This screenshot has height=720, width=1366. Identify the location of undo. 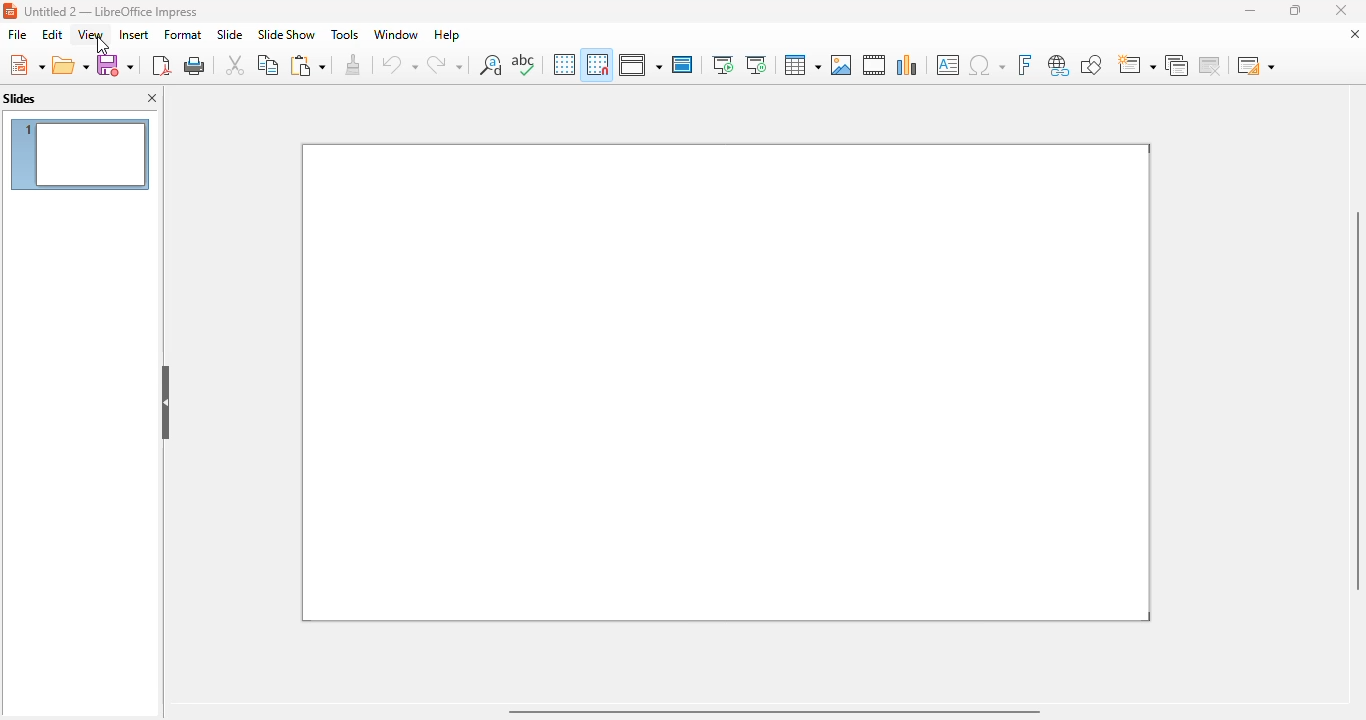
(398, 65).